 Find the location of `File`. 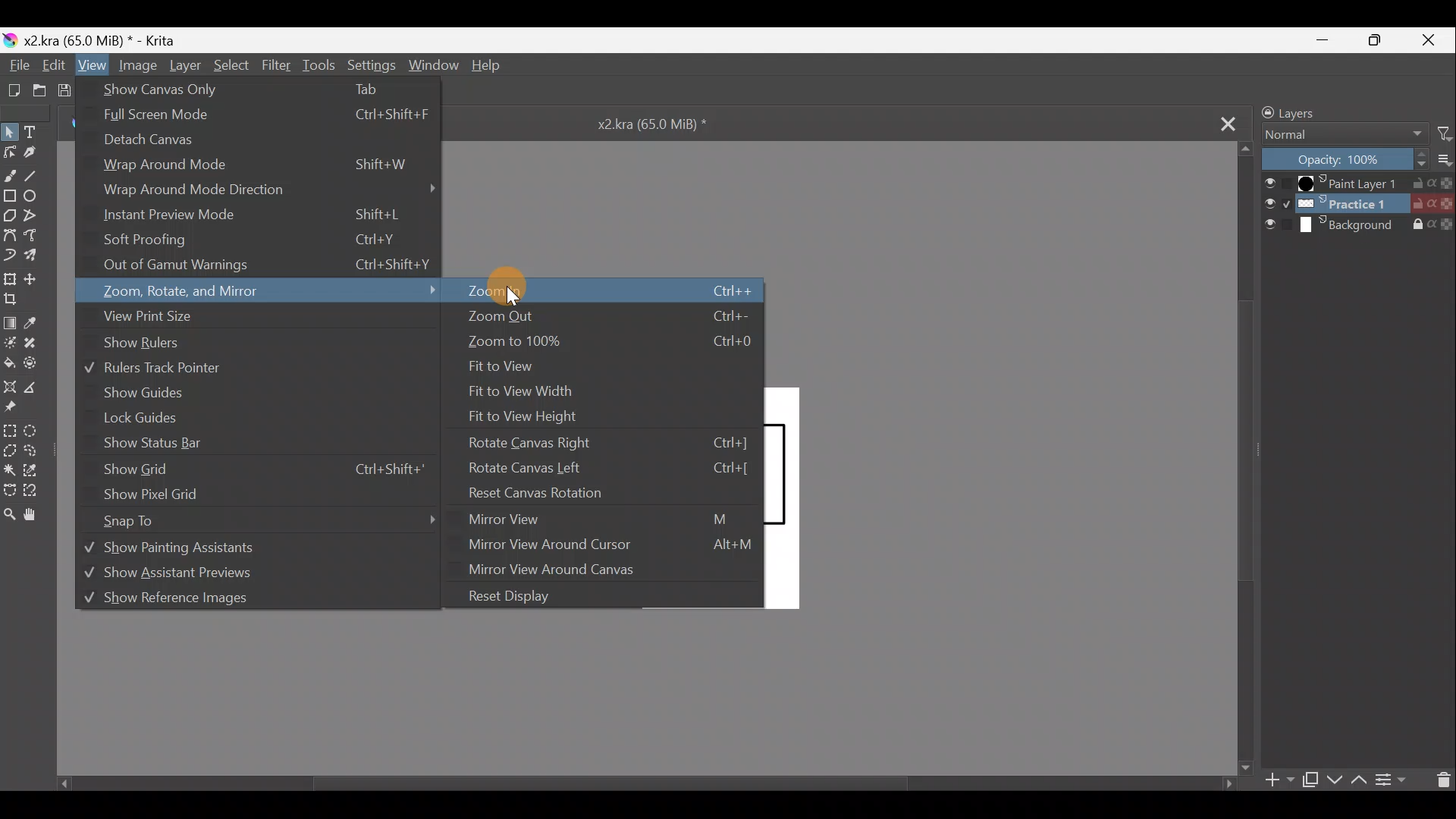

File is located at coordinates (18, 64).